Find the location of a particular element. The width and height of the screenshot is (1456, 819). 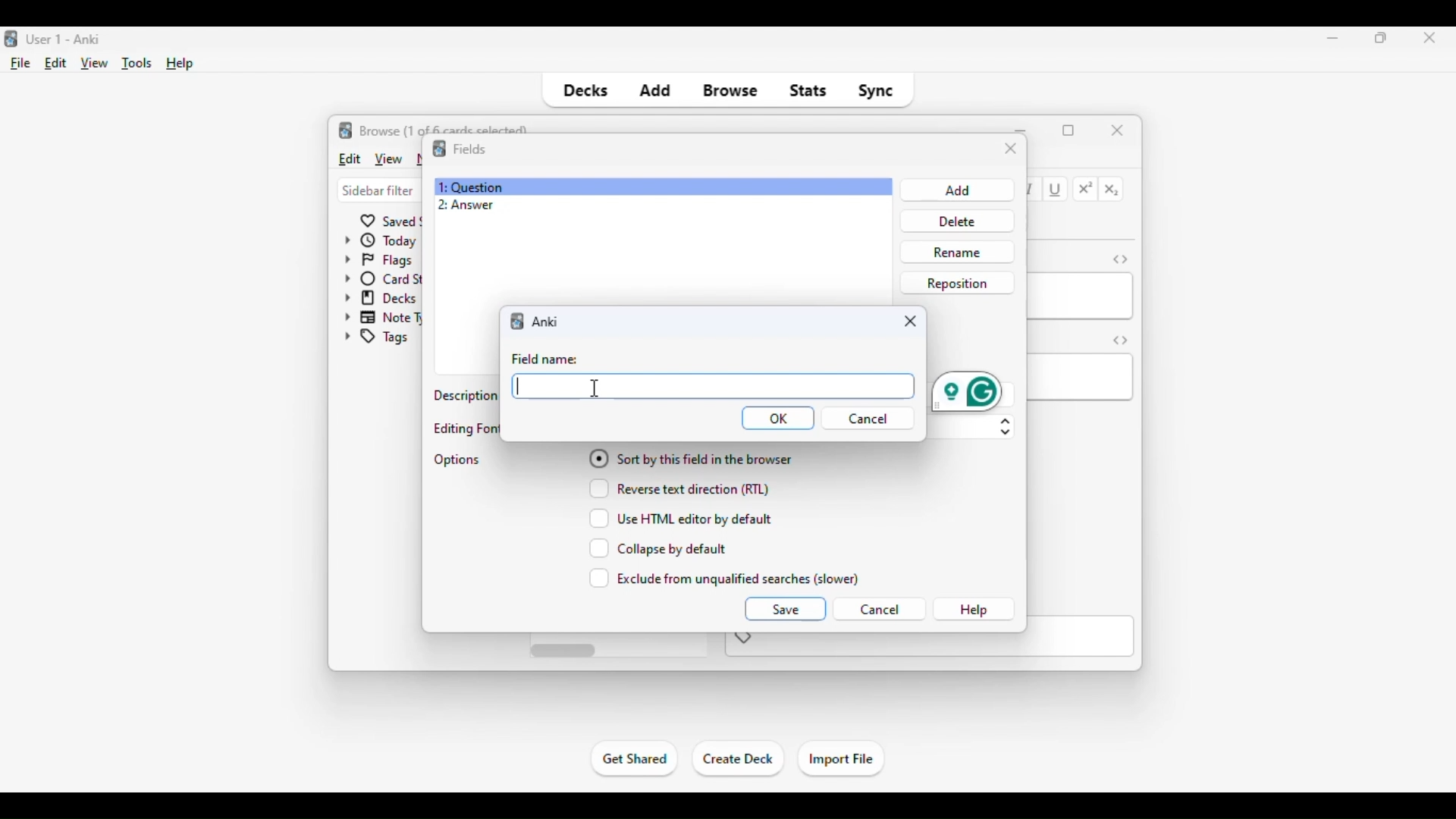

sort by this field in the browser is located at coordinates (690, 457).